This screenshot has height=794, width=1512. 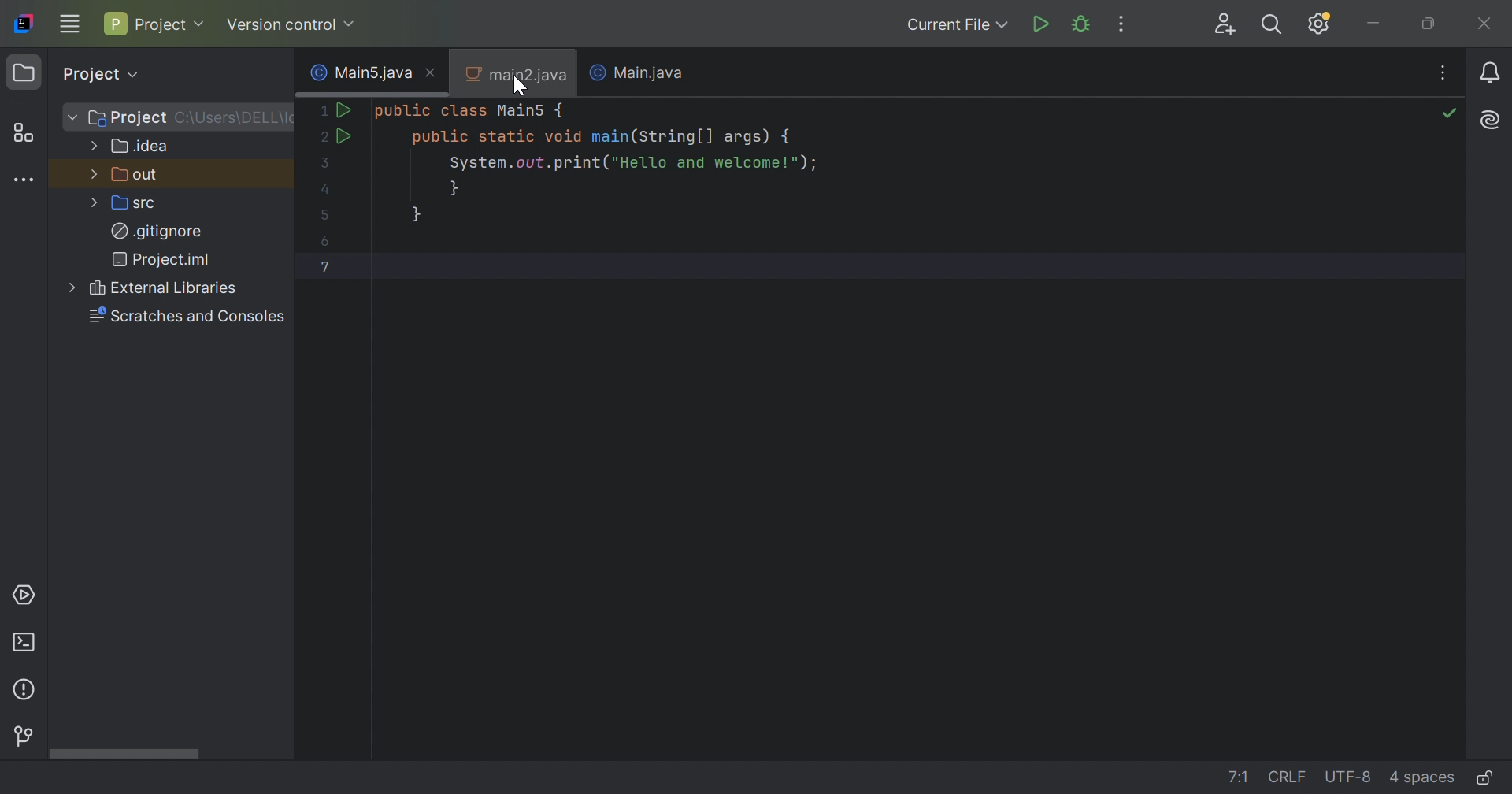 What do you see at coordinates (325, 268) in the screenshot?
I see `7` at bounding box center [325, 268].